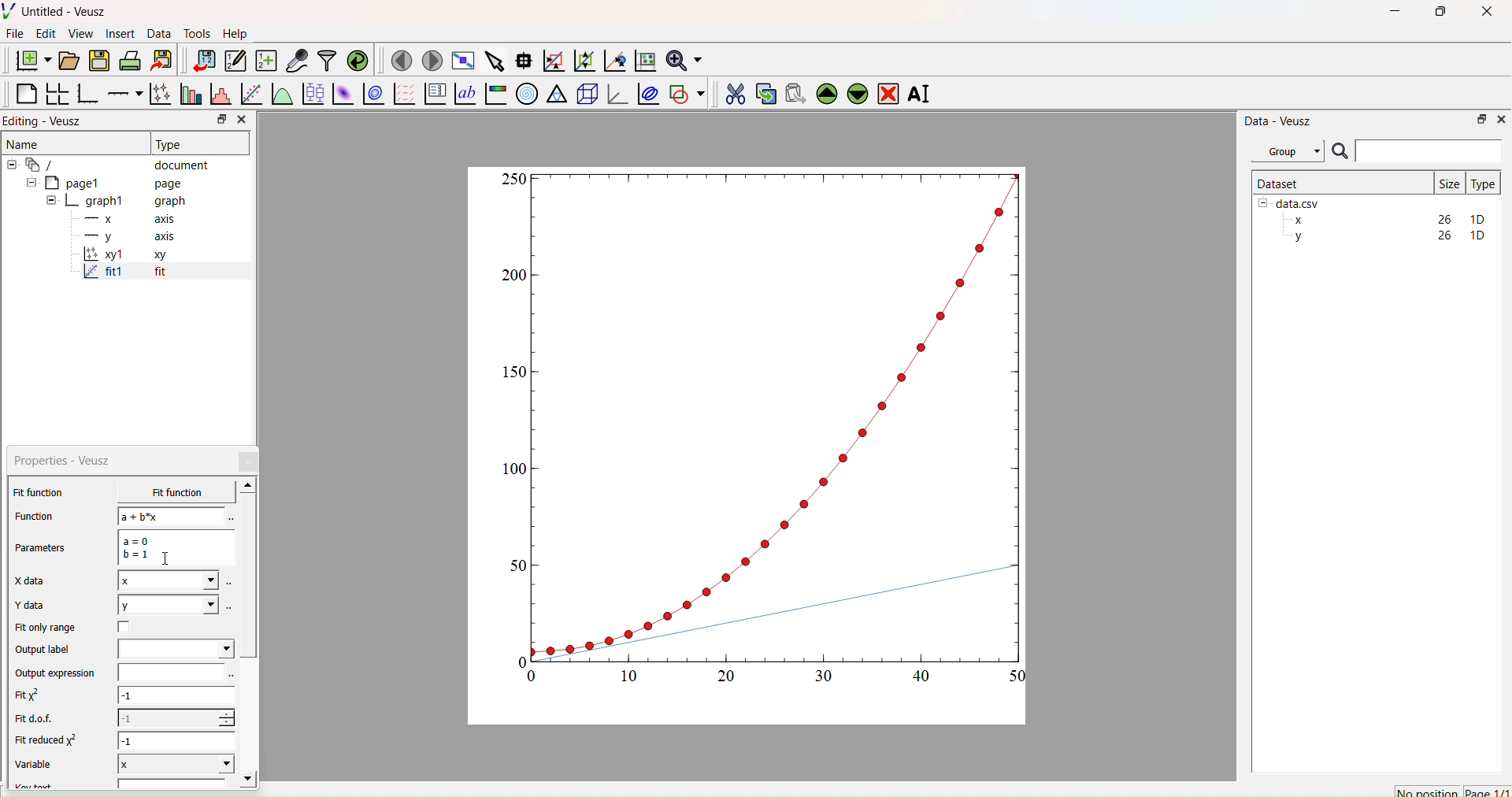 The height and width of the screenshot is (797, 1512). What do you see at coordinates (172, 516) in the screenshot?
I see `a+b*x` at bounding box center [172, 516].